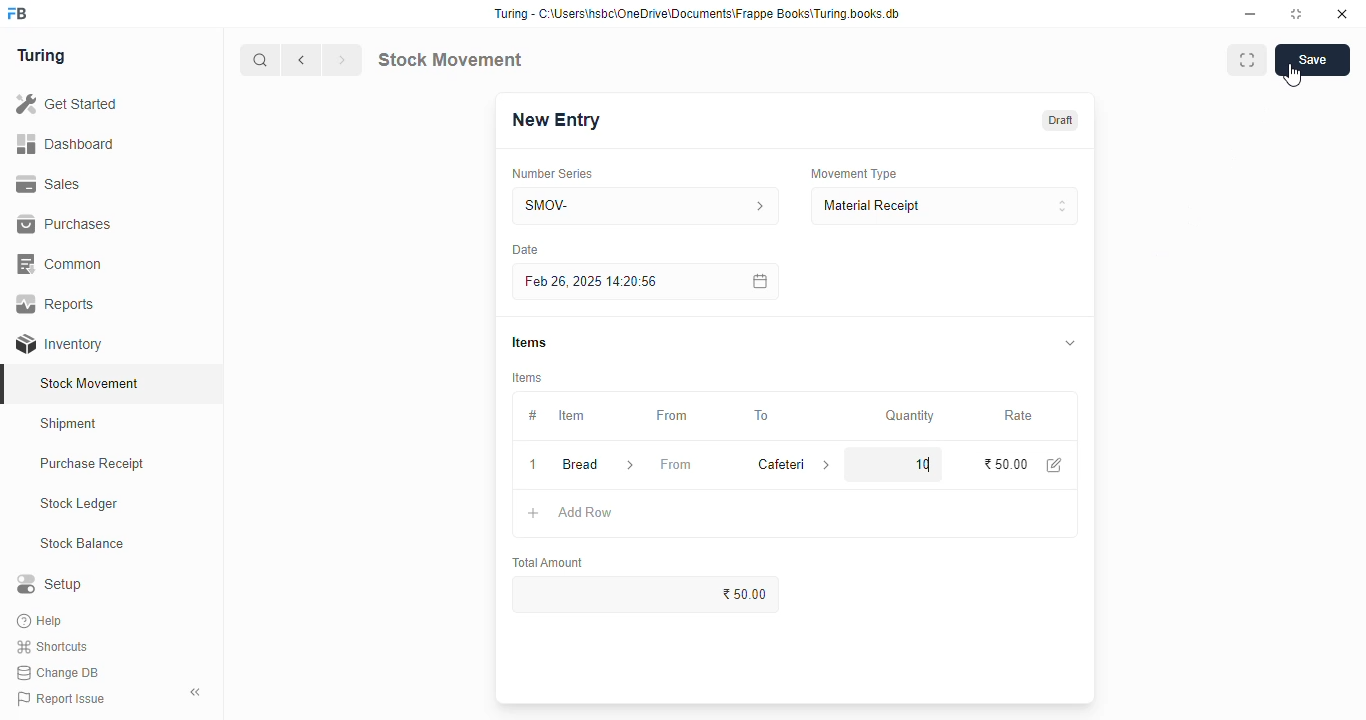 Image resolution: width=1366 pixels, height=720 pixels. Describe the element at coordinates (555, 120) in the screenshot. I see `new entry` at that location.